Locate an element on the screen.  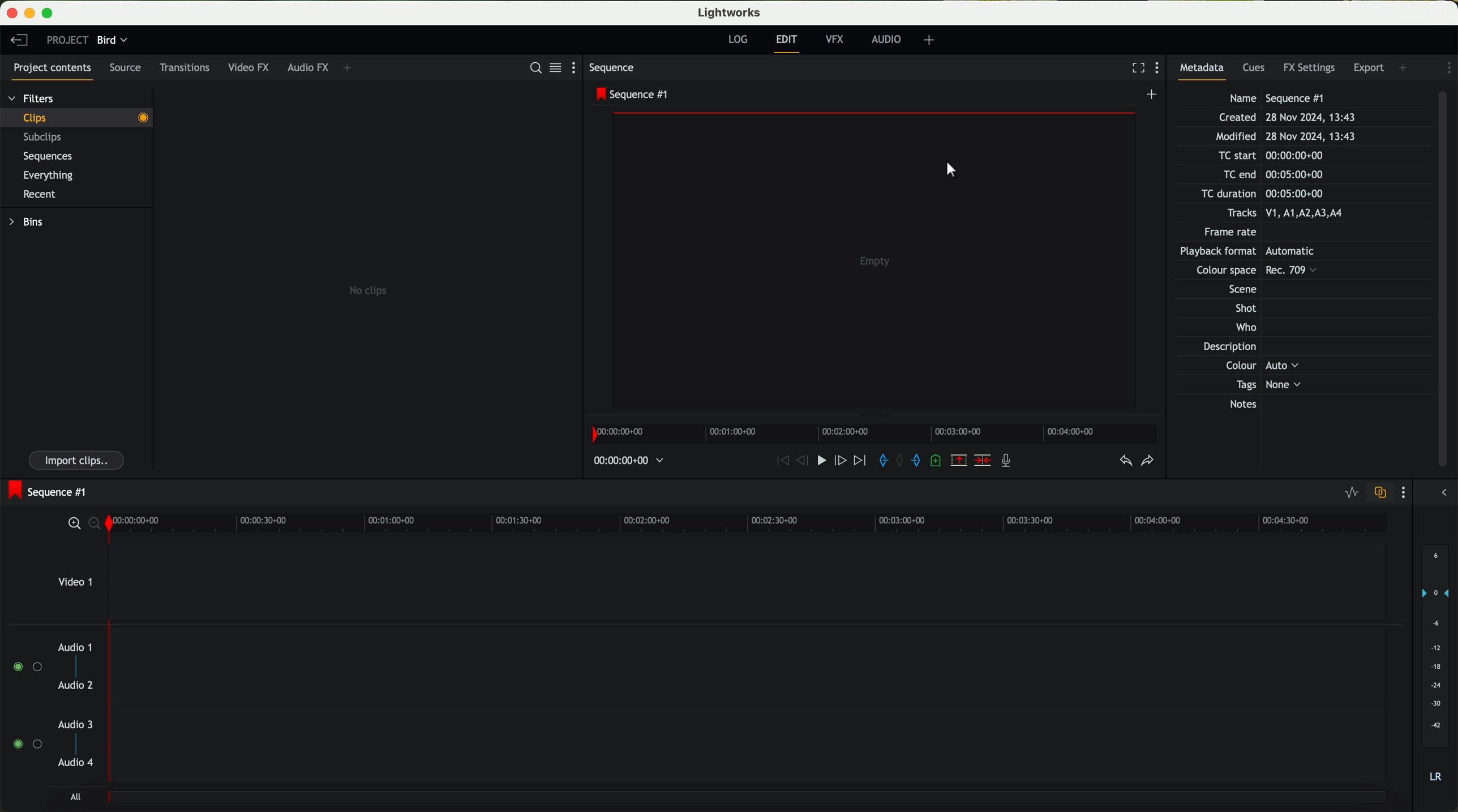
create a new sequence is located at coordinates (1149, 94).